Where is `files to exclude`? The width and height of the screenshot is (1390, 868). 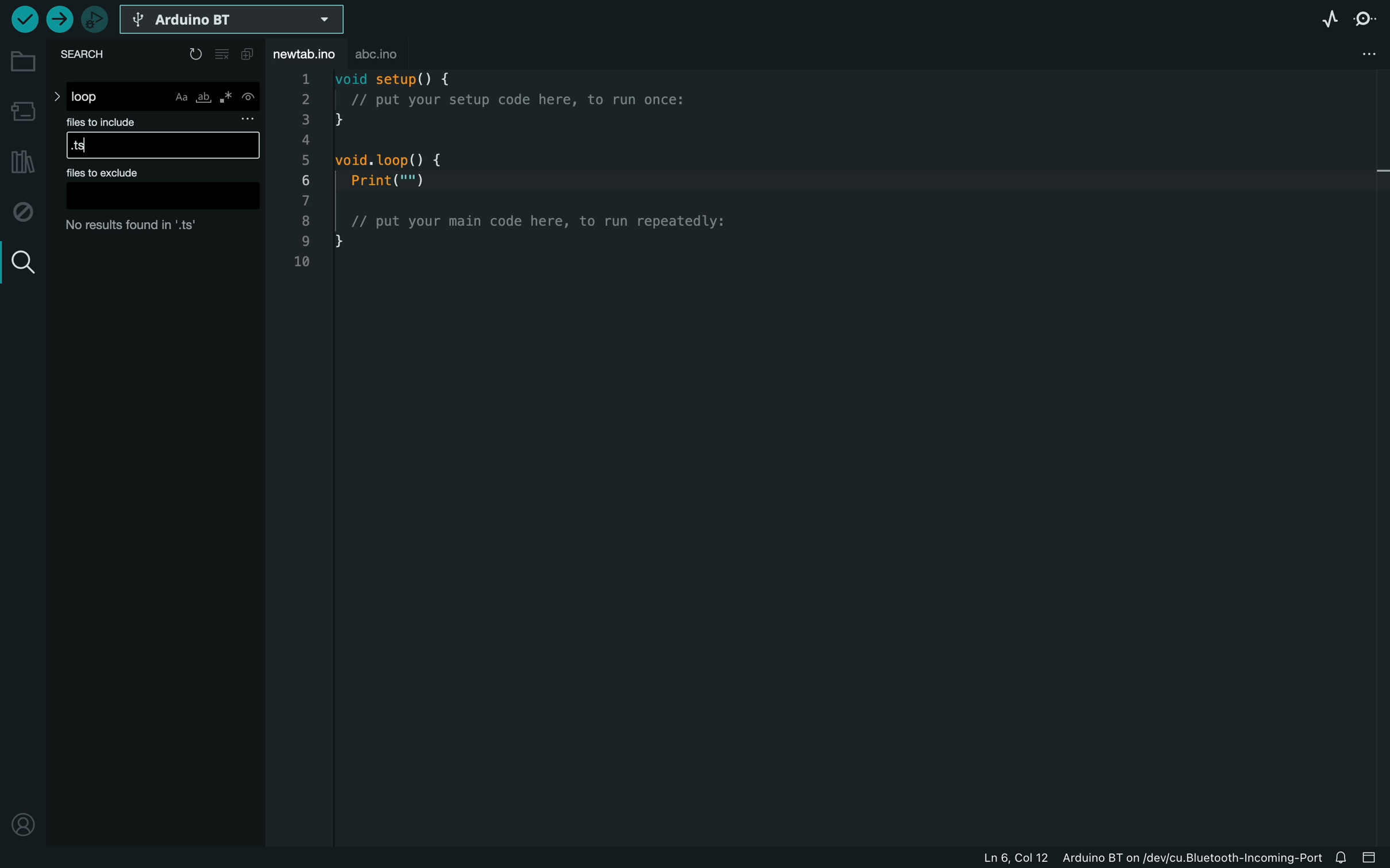
files to exclude is located at coordinates (157, 172).